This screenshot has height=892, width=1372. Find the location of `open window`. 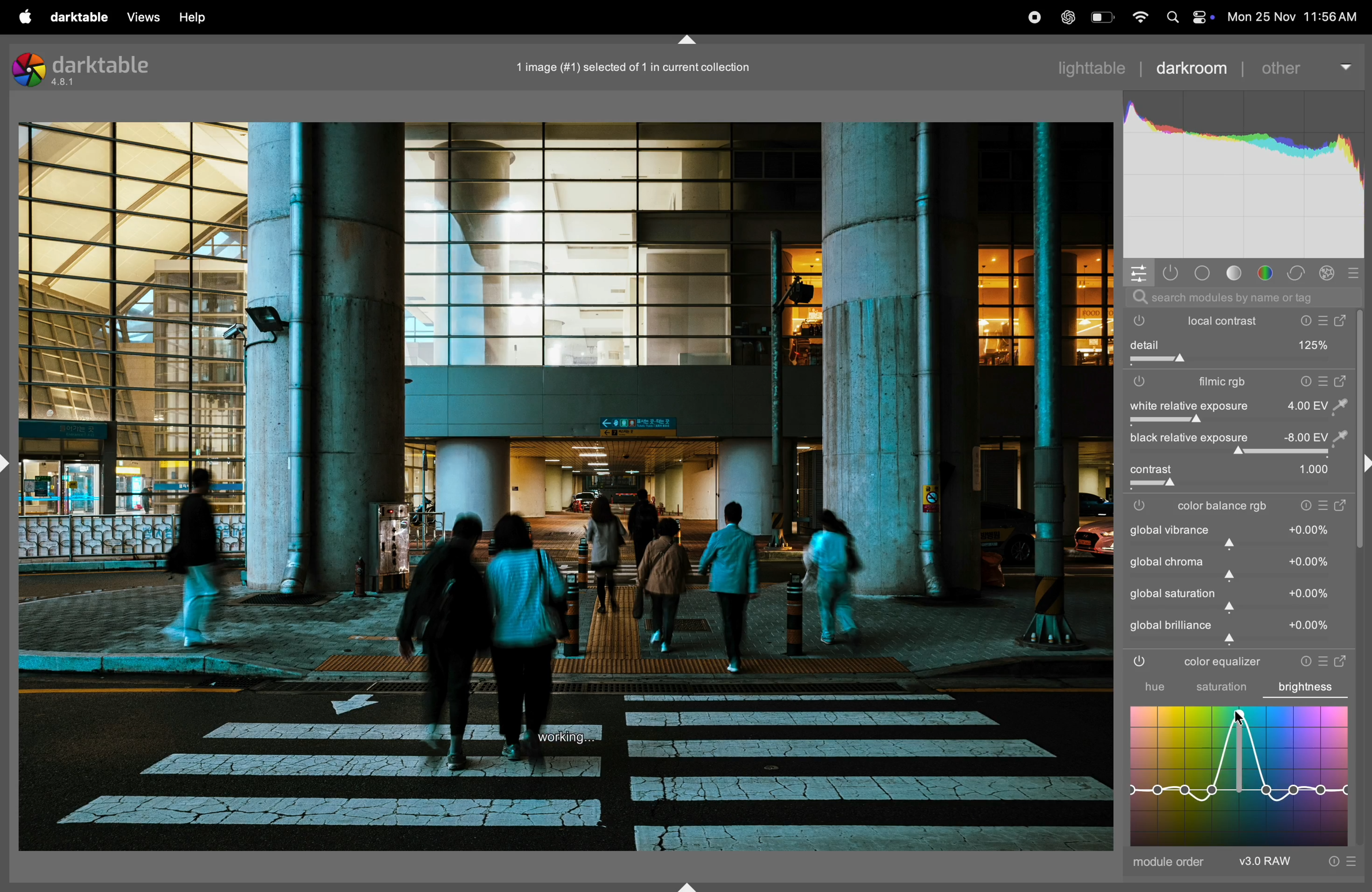

open window is located at coordinates (1343, 659).